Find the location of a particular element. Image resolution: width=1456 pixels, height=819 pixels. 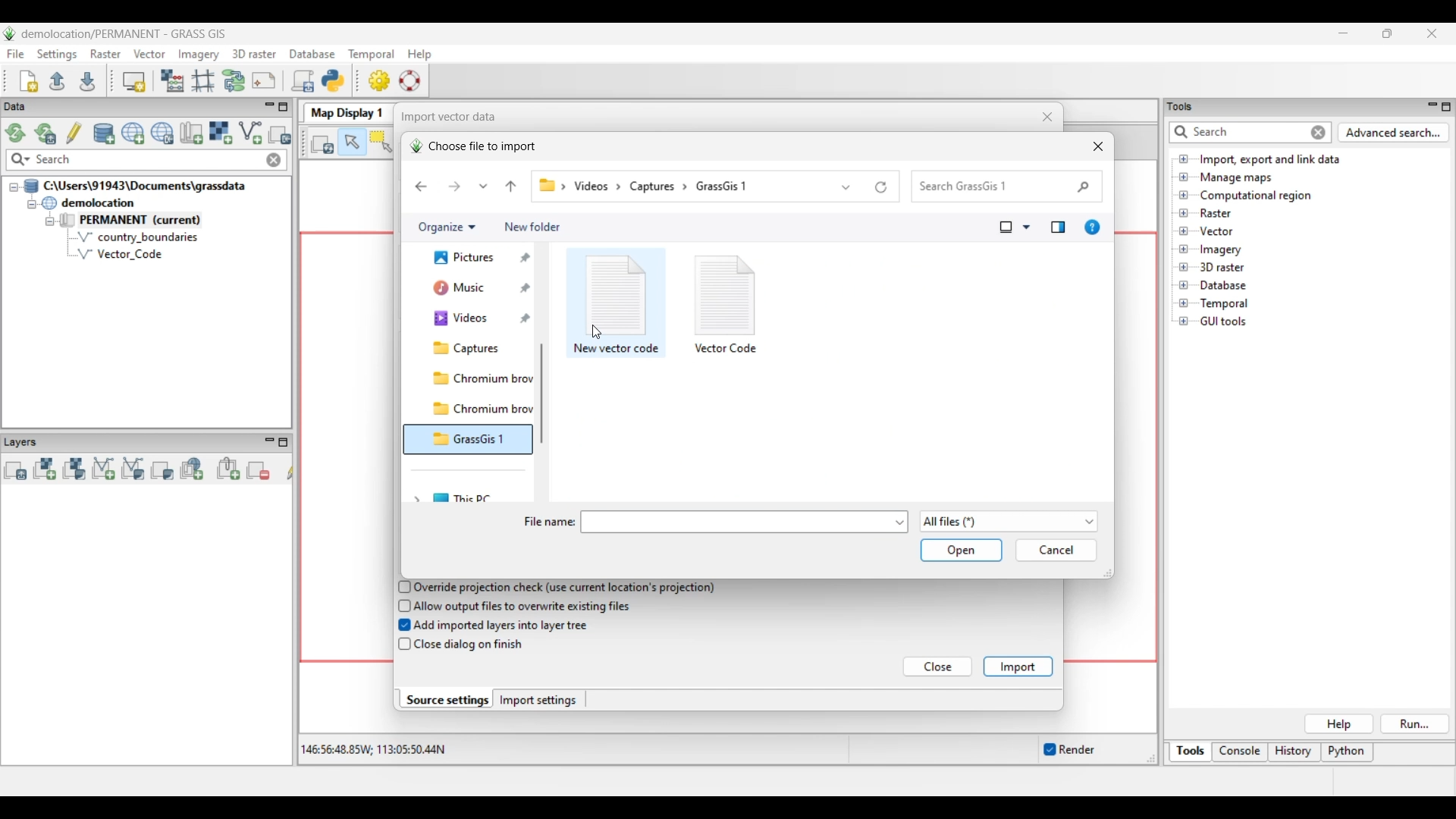

Collapse permanent files view is located at coordinates (50, 221).